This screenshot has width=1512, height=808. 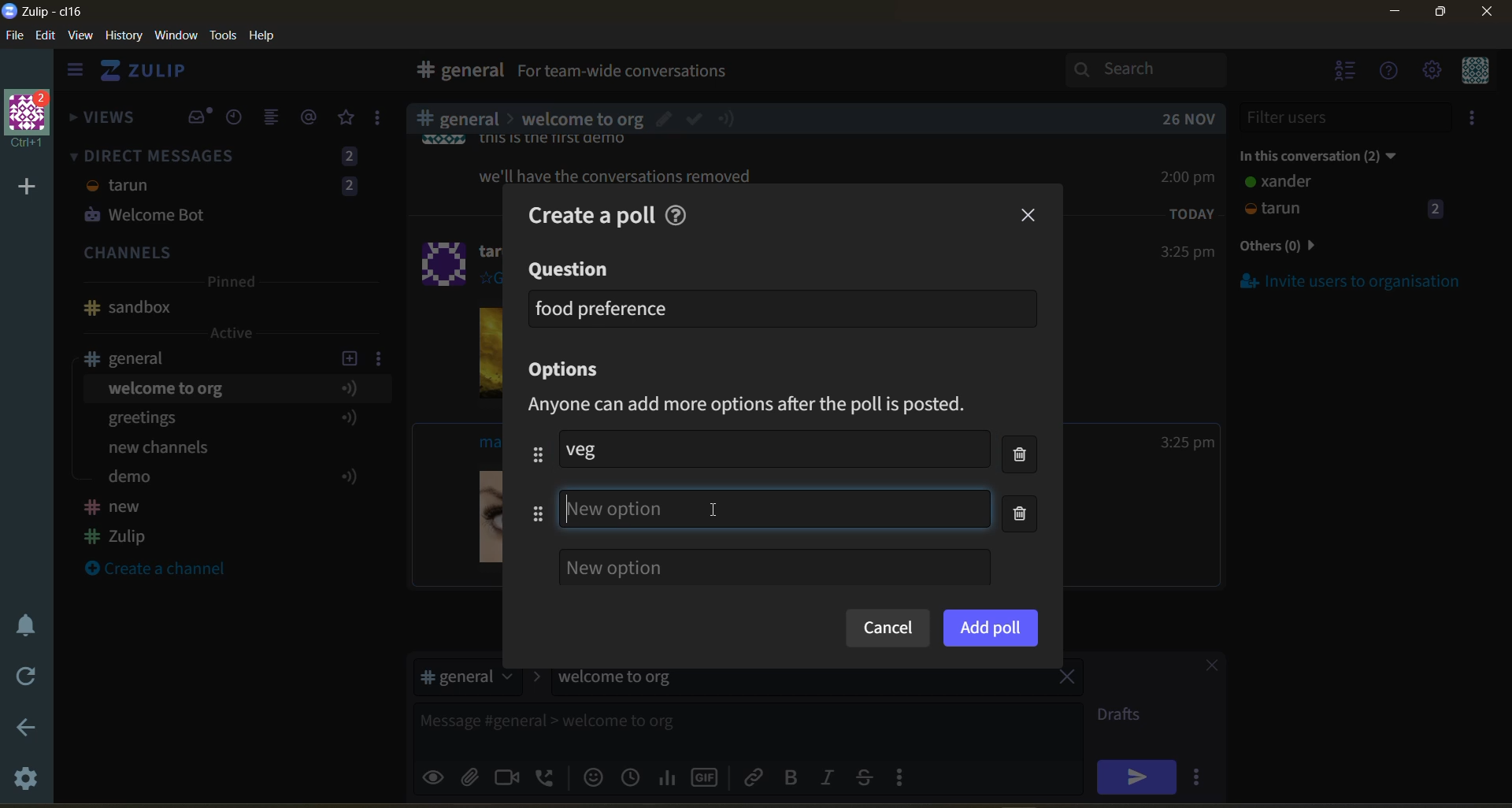 I want to click on reload, so click(x=22, y=676).